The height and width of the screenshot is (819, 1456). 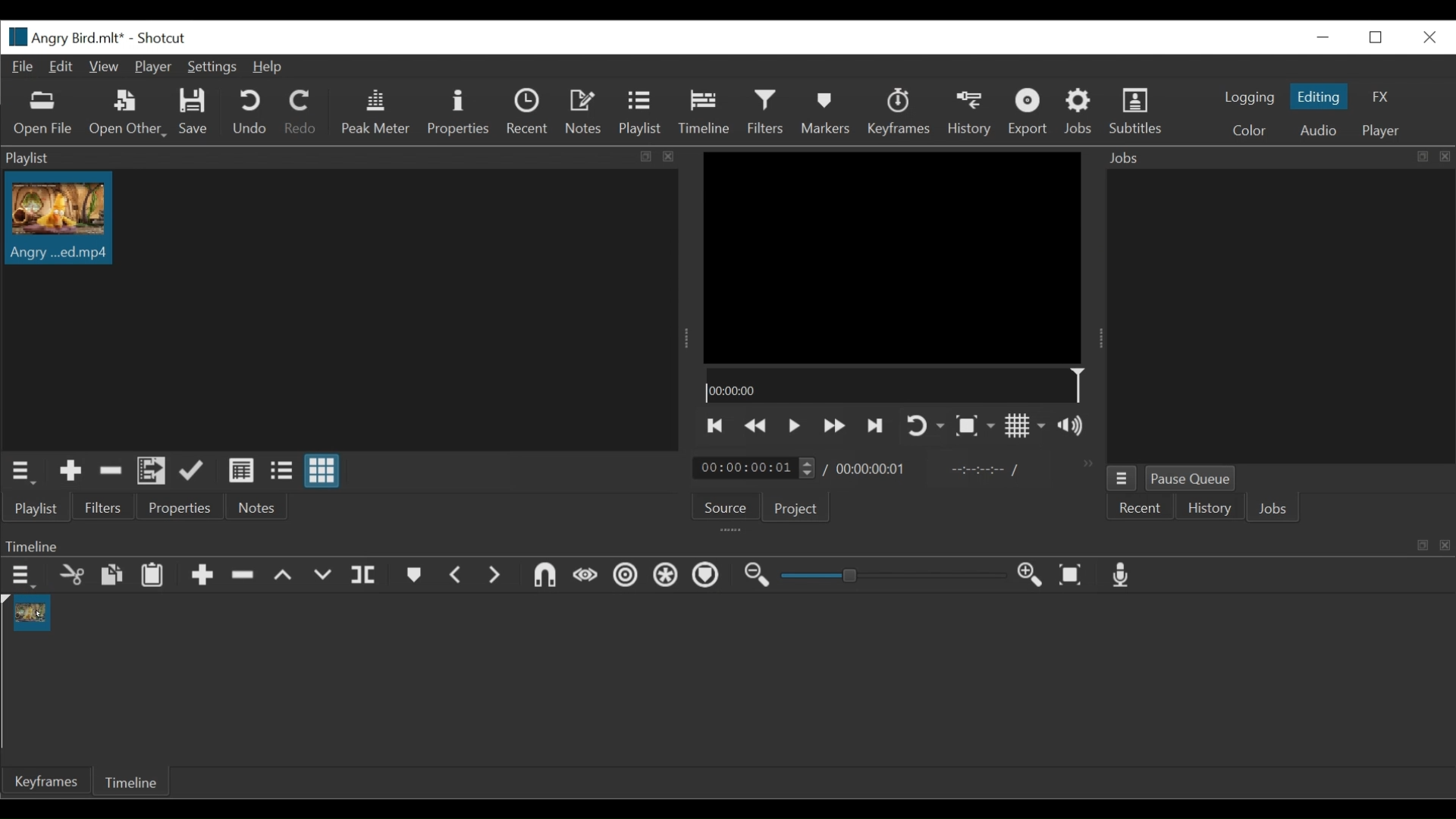 What do you see at coordinates (112, 575) in the screenshot?
I see `Copy` at bounding box center [112, 575].